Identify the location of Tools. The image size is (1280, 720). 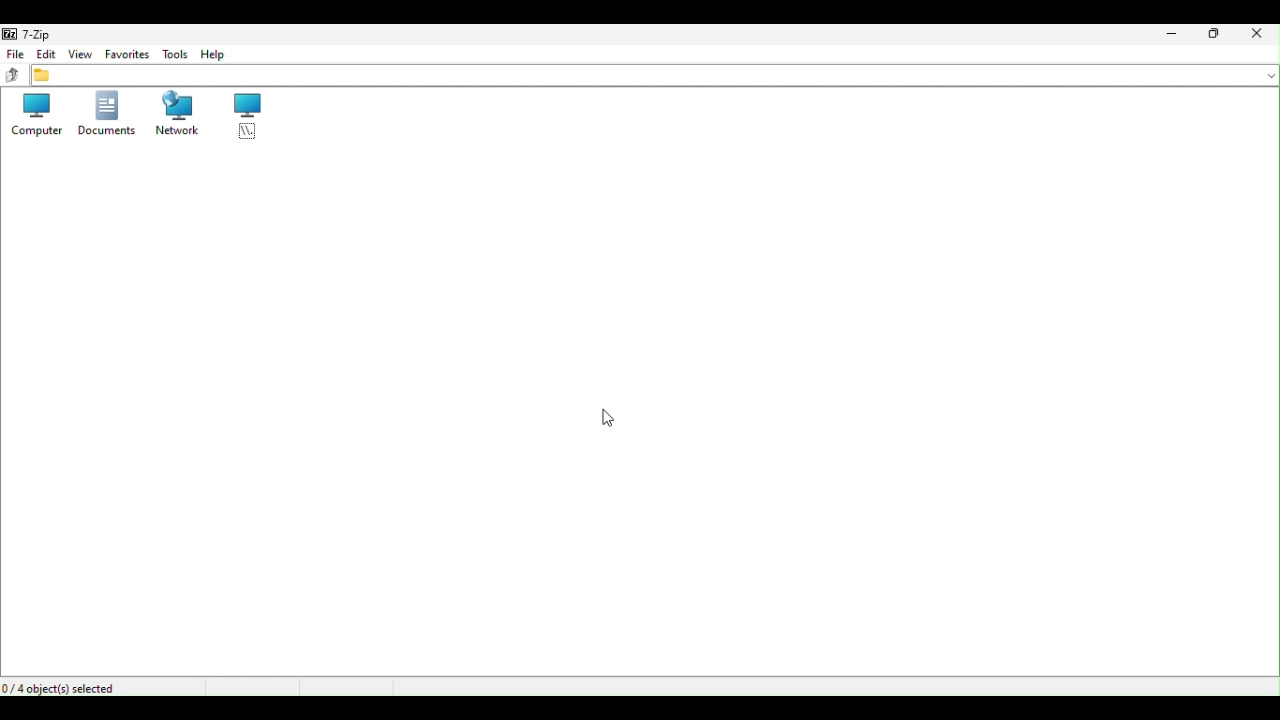
(179, 56).